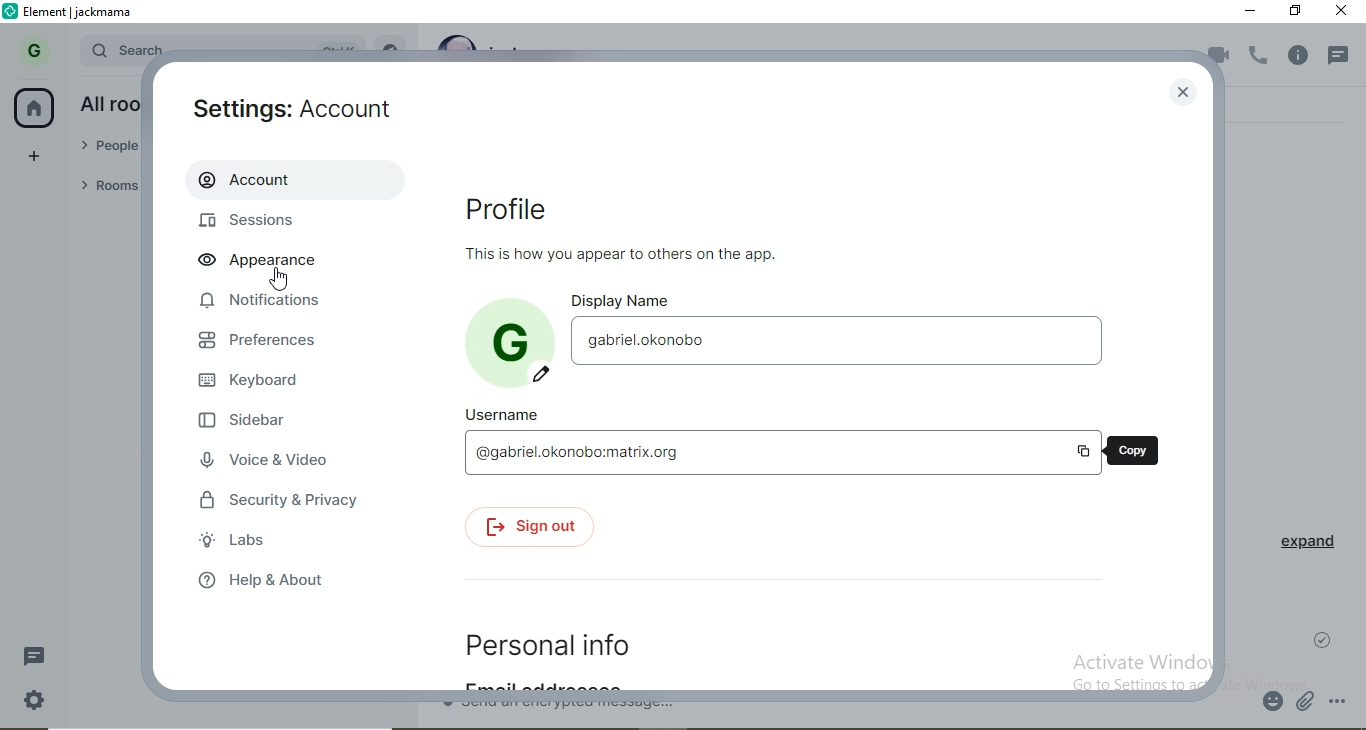  I want to click on video call, so click(1217, 58).